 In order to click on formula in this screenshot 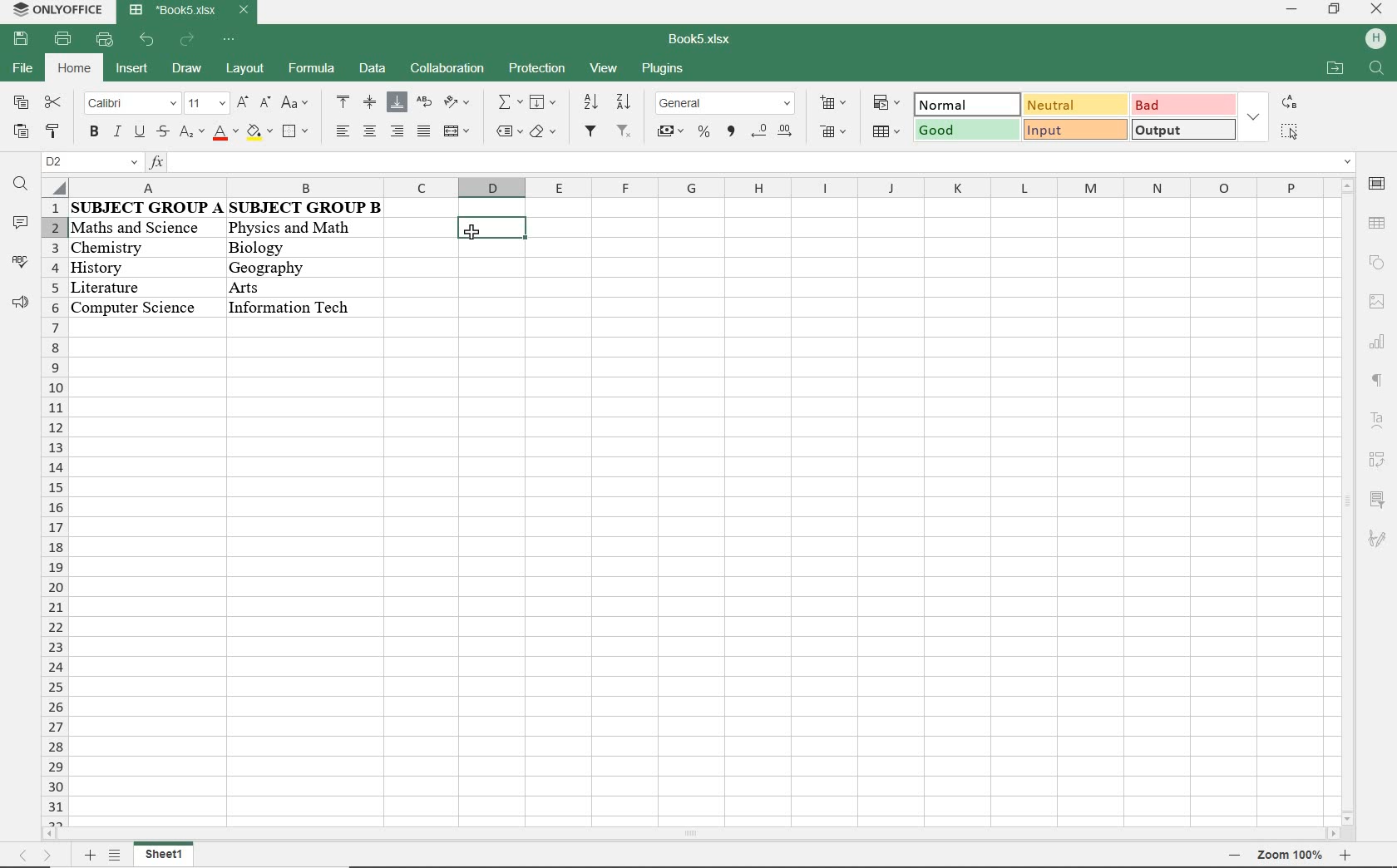, I will do `click(309, 67)`.